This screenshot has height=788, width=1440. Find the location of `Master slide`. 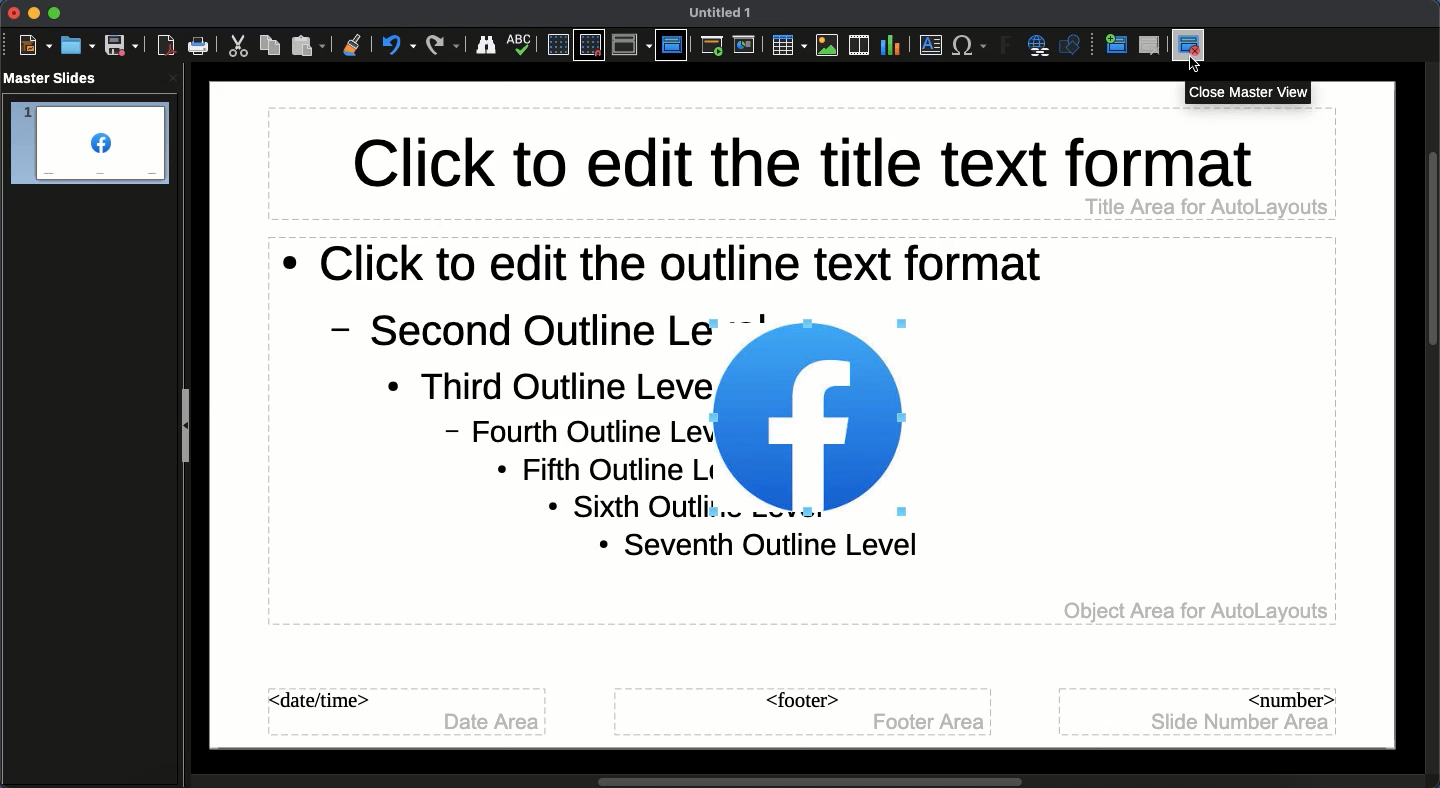

Master slide is located at coordinates (675, 40).